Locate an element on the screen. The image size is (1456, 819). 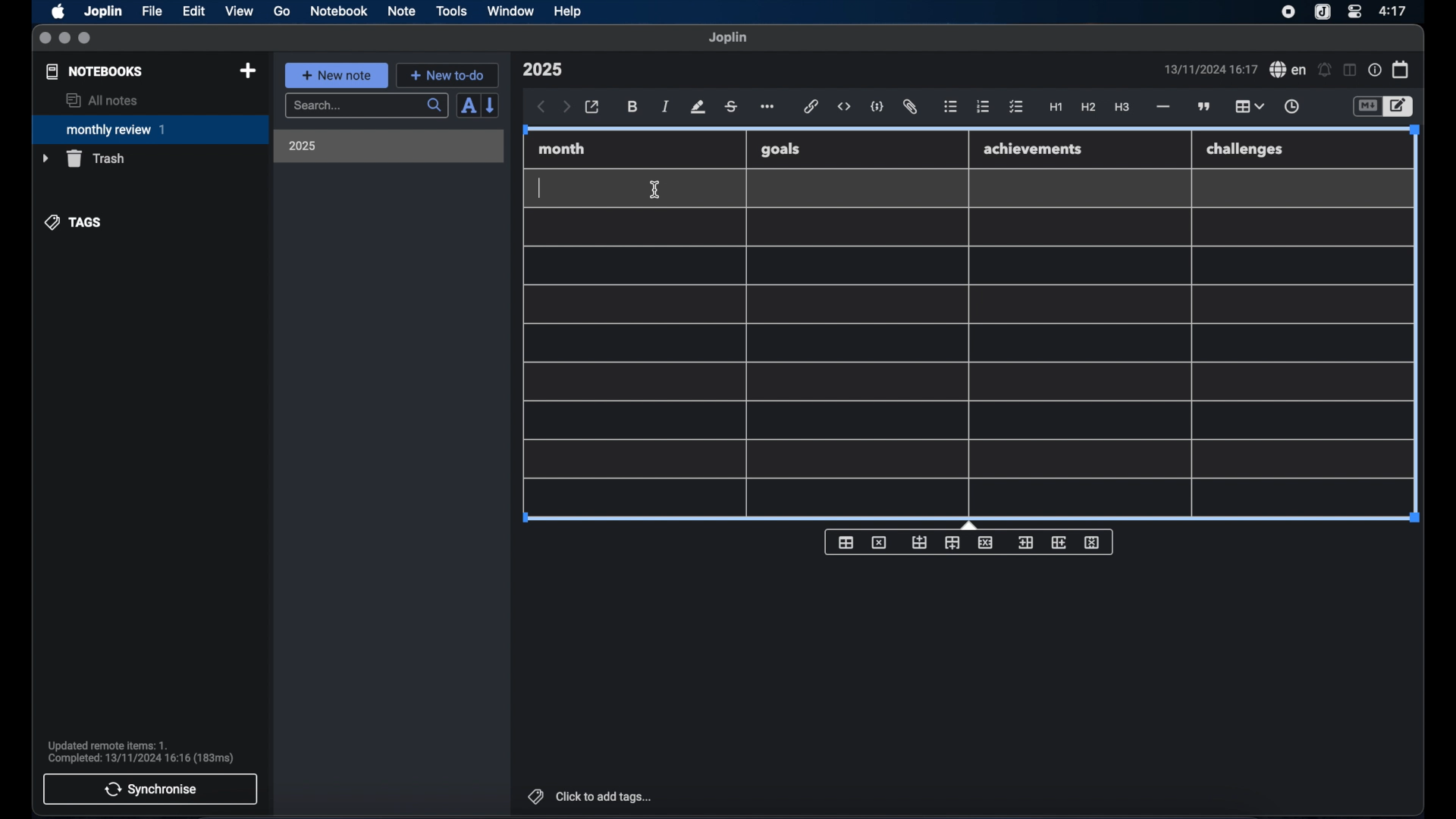
note is located at coordinates (402, 11).